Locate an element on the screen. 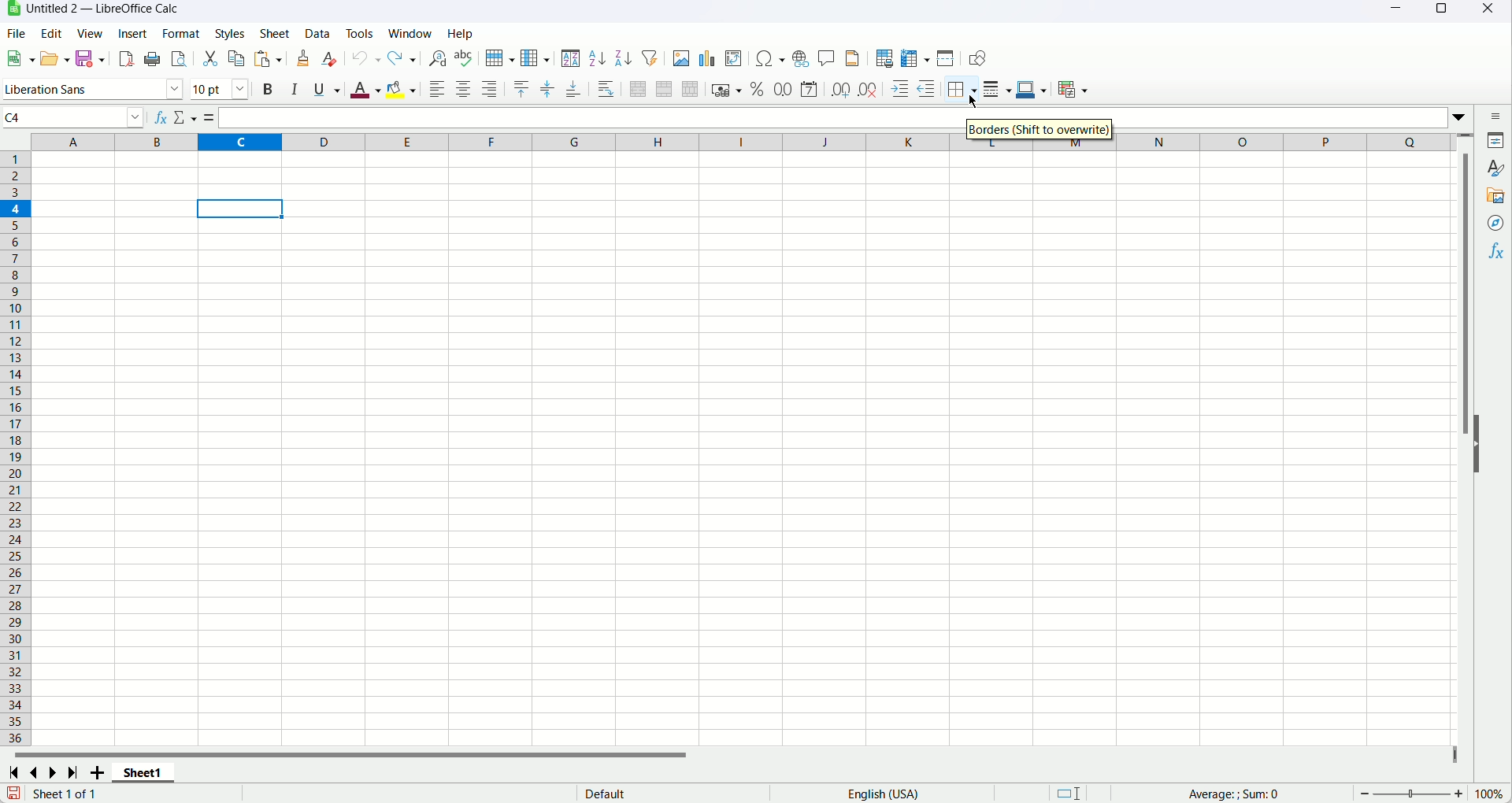  Help is located at coordinates (461, 34).